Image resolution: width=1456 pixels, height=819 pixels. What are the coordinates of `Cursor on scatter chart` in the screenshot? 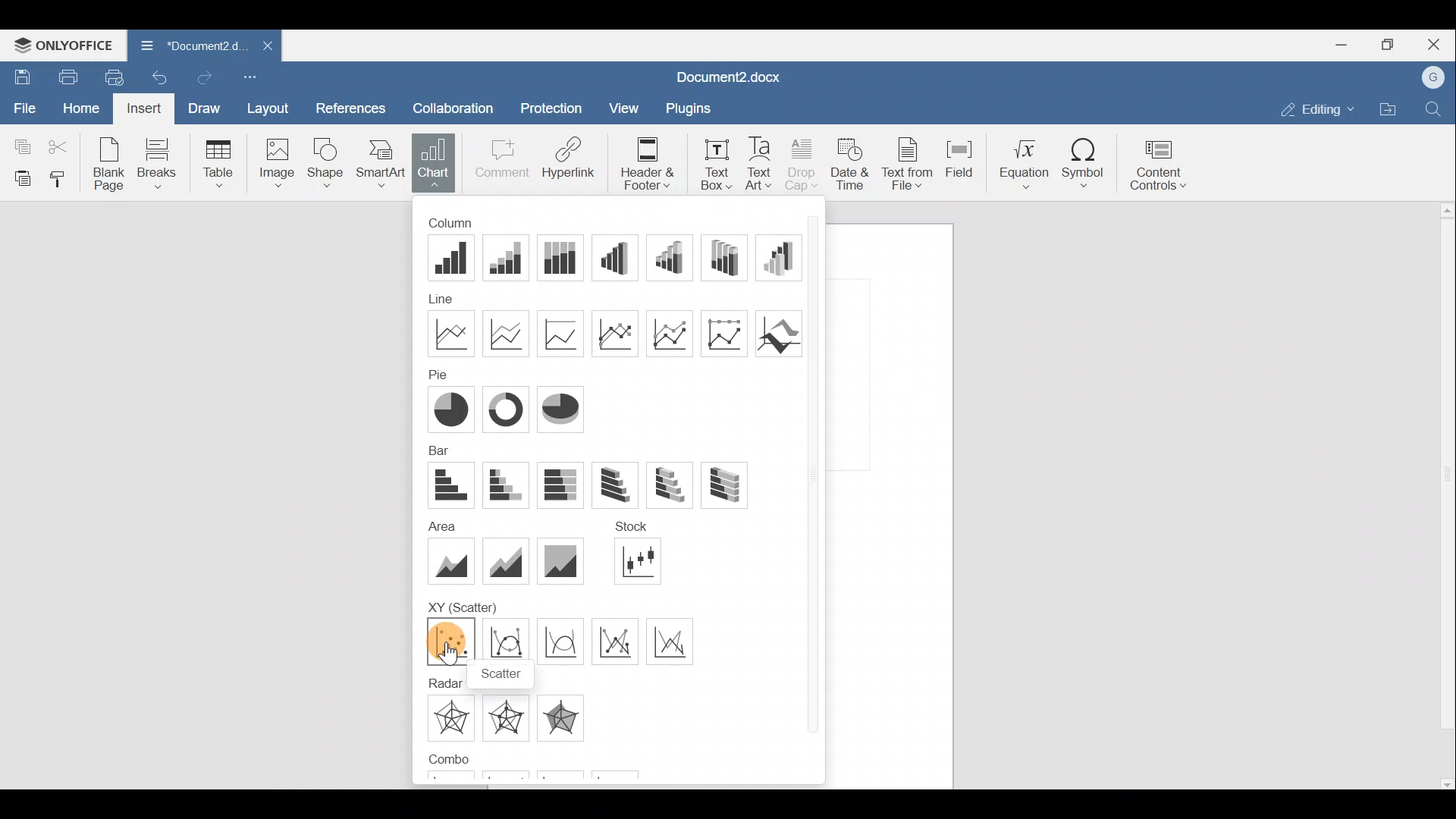 It's located at (451, 641).